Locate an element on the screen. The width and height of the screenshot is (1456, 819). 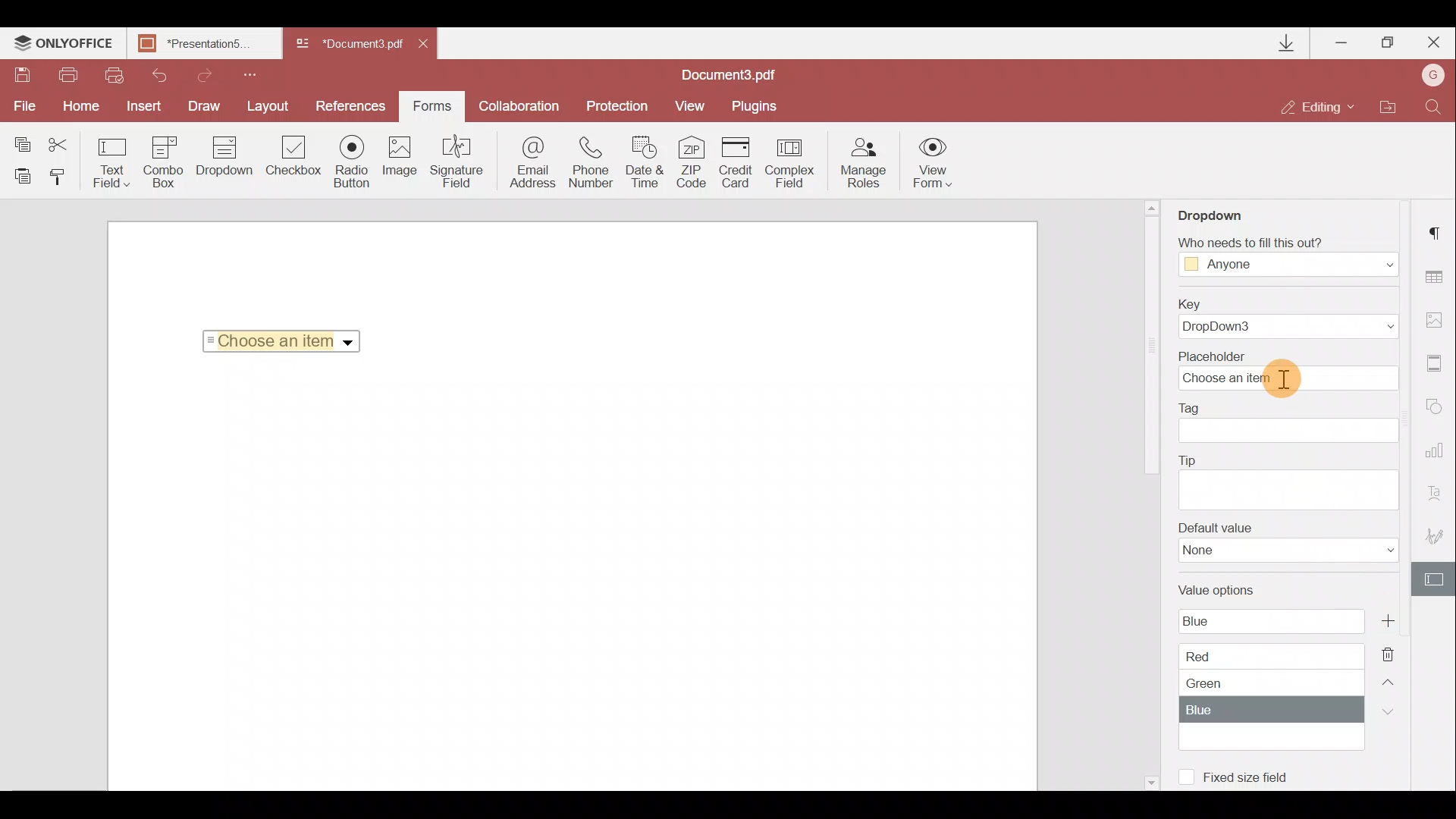
Document name is located at coordinates (209, 45).